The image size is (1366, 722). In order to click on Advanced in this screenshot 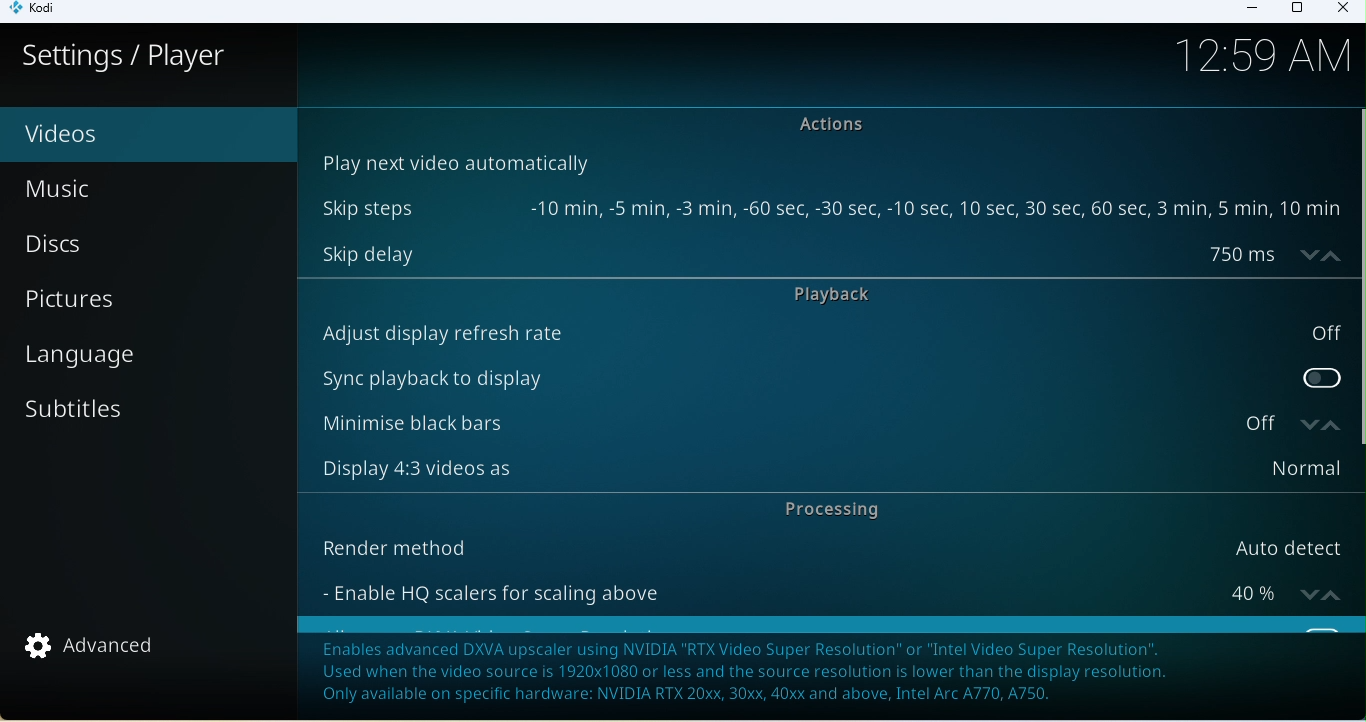, I will do `click(102, 649)`.